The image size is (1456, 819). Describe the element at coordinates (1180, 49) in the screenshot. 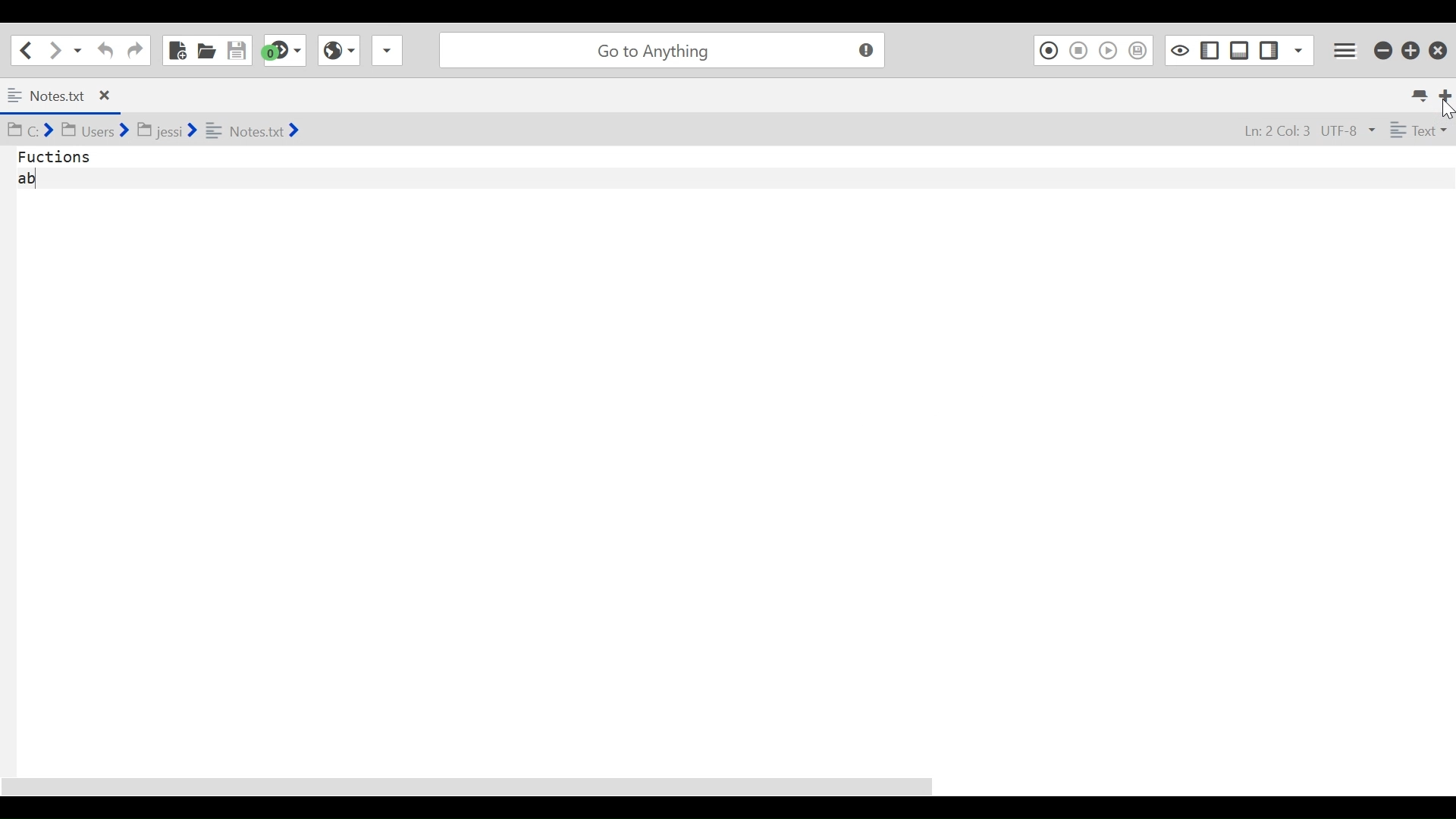

I see `Toggle focus mode` at that location.